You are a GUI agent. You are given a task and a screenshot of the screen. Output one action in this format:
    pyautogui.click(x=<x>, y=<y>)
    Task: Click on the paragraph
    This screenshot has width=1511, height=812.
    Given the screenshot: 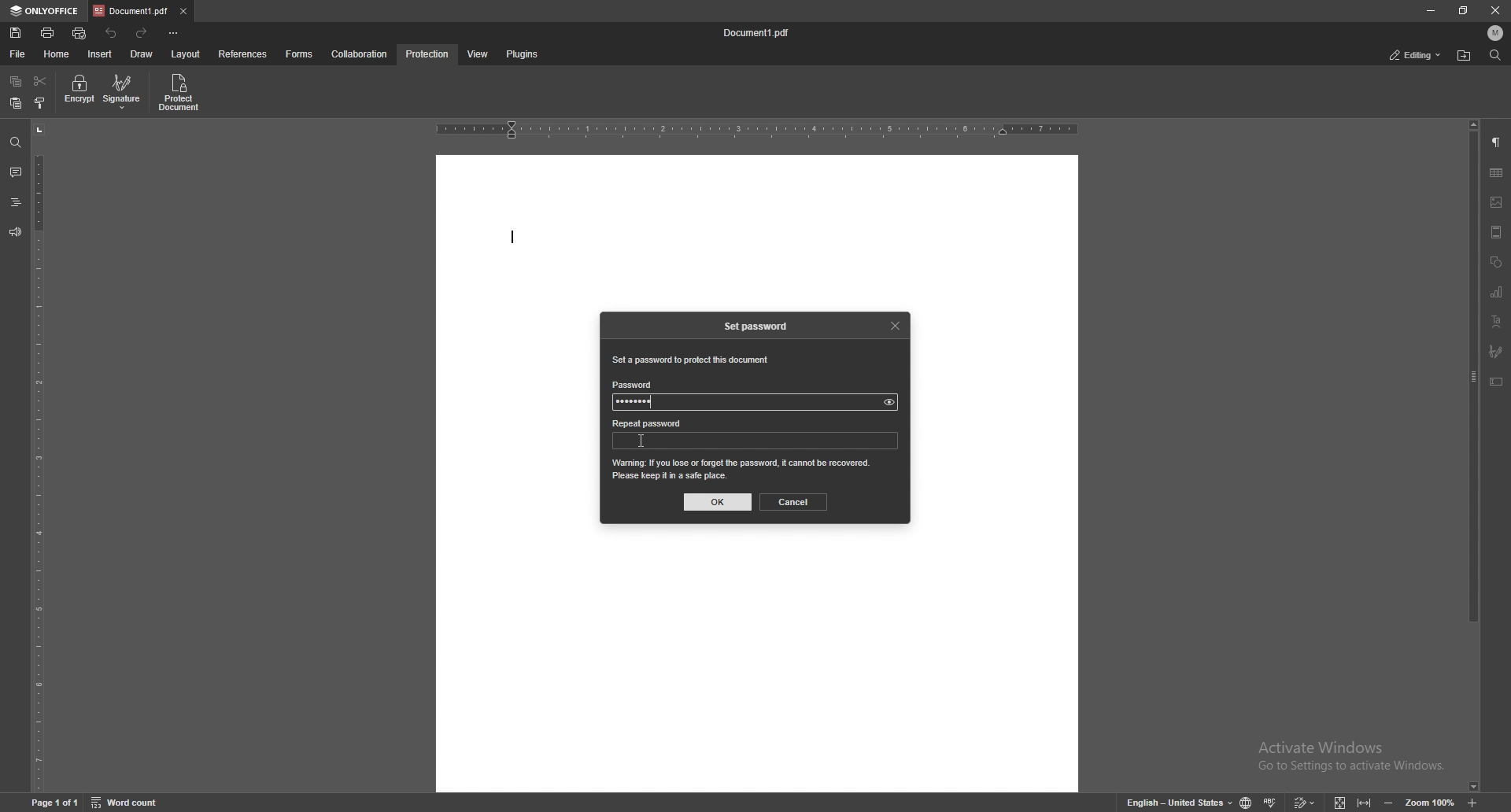 What is the action you would take?
    pyautogui.click(x=1495, y=143)
    